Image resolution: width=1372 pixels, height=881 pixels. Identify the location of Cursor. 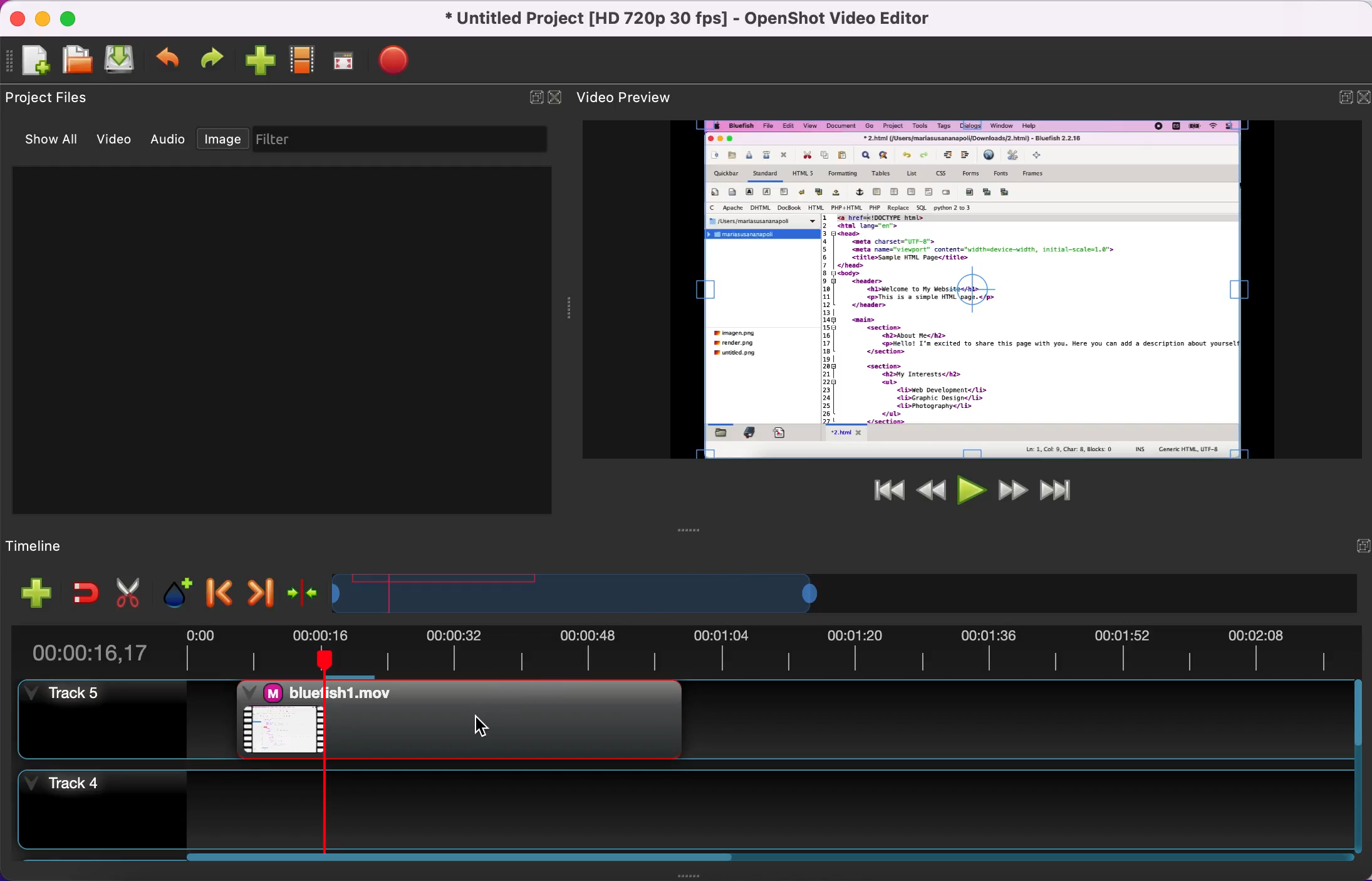
(482, 726).